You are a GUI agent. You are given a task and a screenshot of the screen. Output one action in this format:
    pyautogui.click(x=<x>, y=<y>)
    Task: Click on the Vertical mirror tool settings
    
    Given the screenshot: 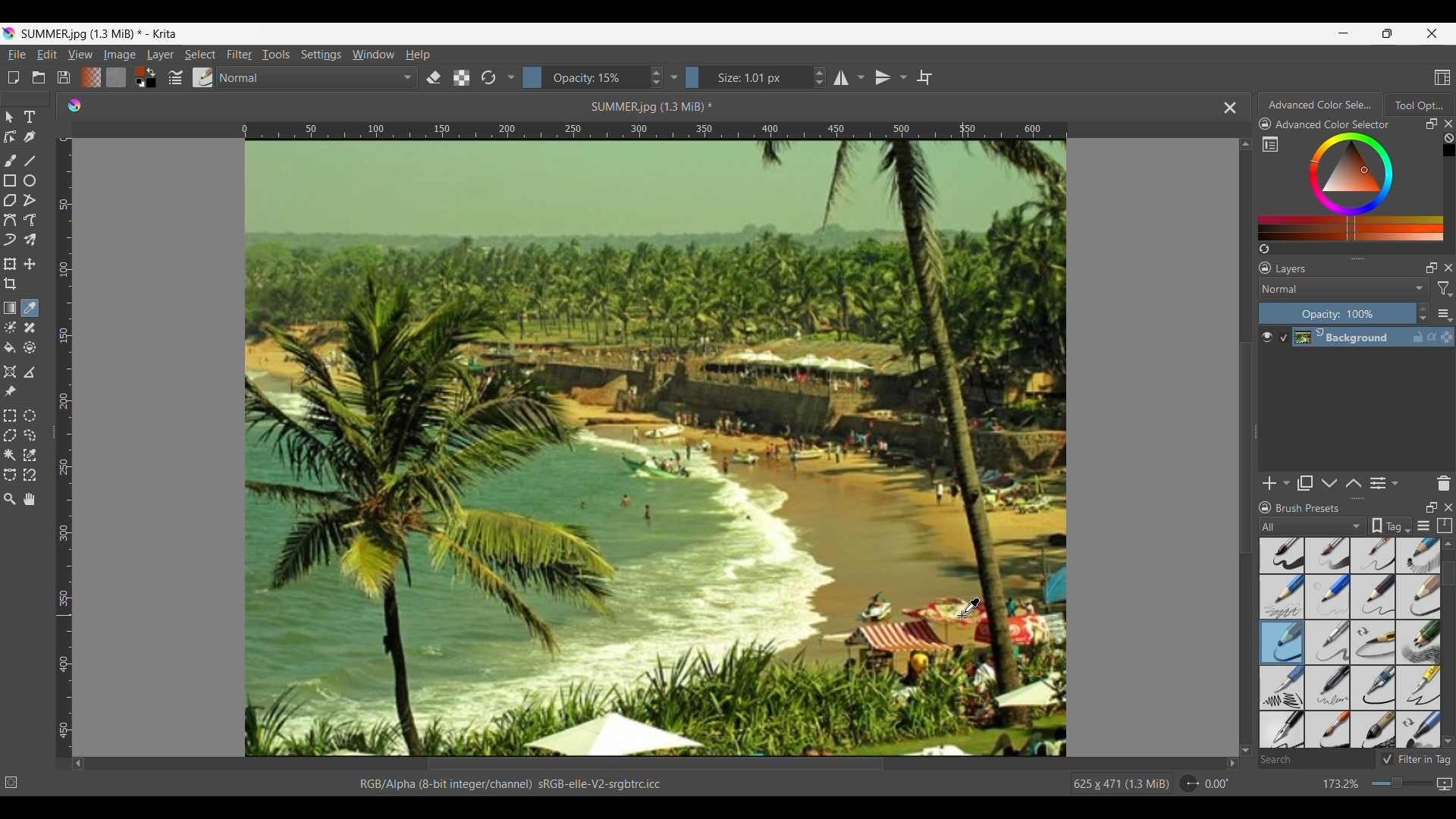 What is the action you would take?
    pyautogui.click(x=903, y=77)
    